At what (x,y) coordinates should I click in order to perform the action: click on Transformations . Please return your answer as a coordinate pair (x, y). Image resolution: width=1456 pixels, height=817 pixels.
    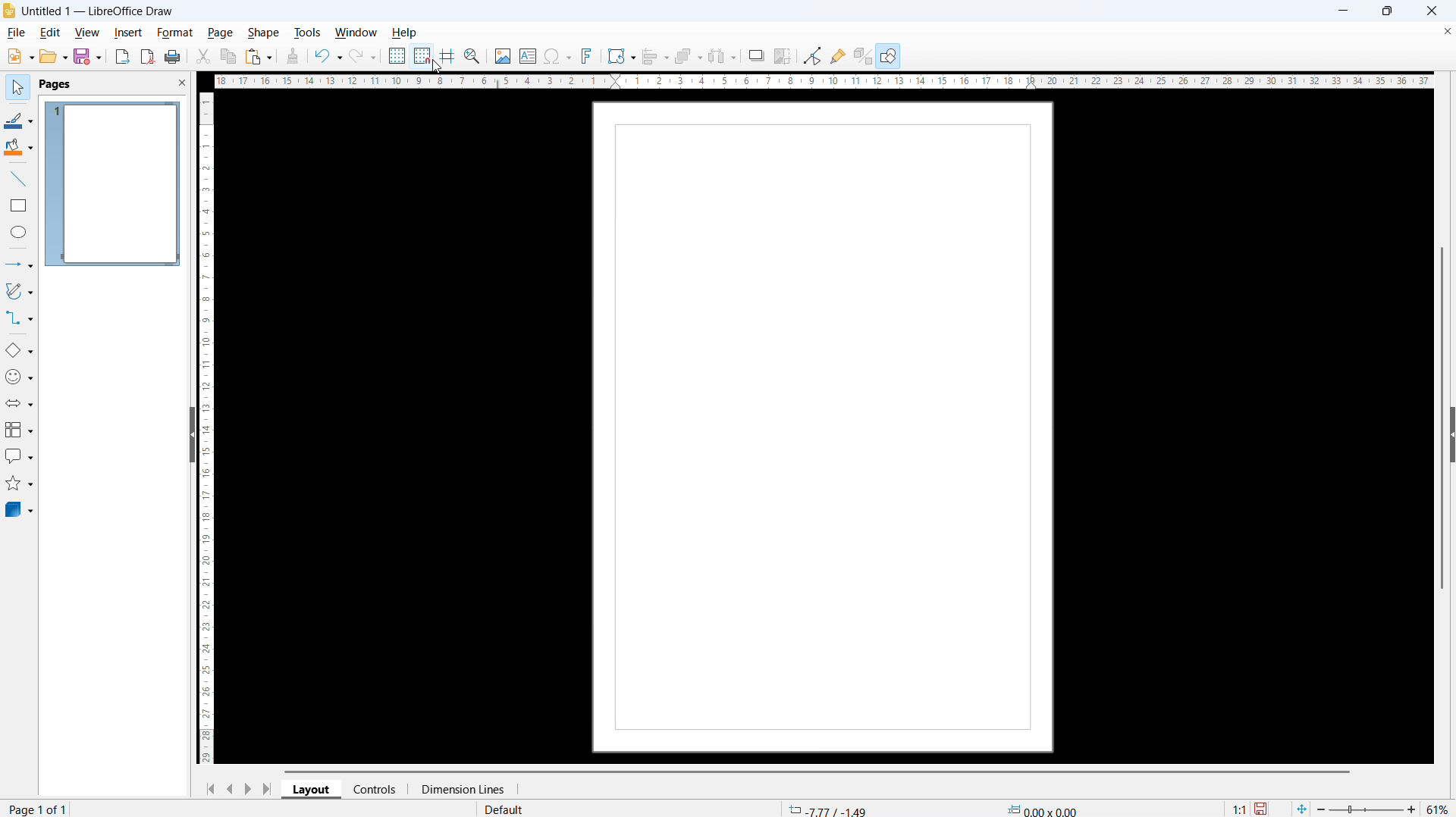
    Looking at the image, I should click on (621, 55).